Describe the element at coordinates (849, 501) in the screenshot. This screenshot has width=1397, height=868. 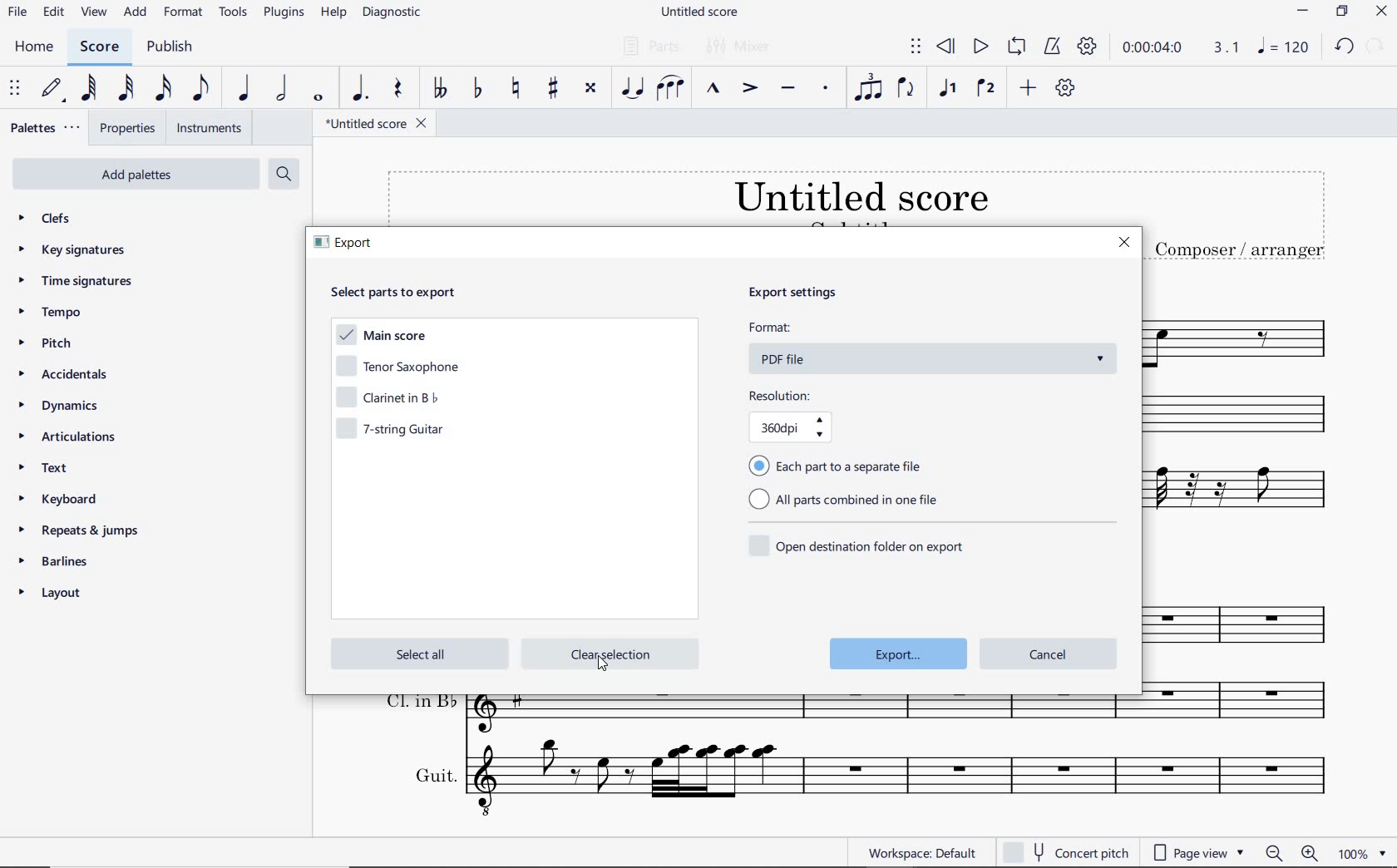
I see `all parts combined in one file` at that location.